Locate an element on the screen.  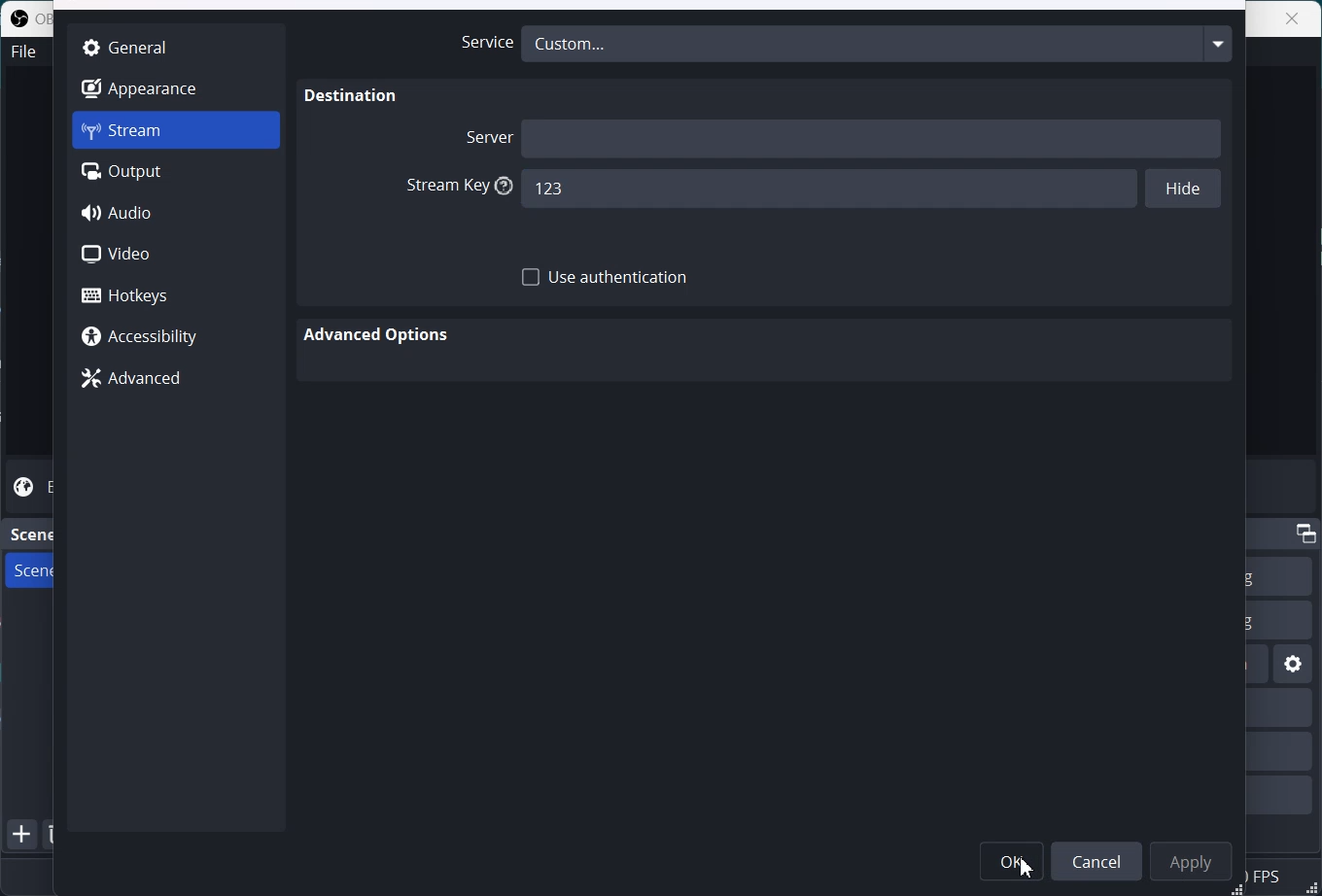
Video is located at coordinates (176, 254).